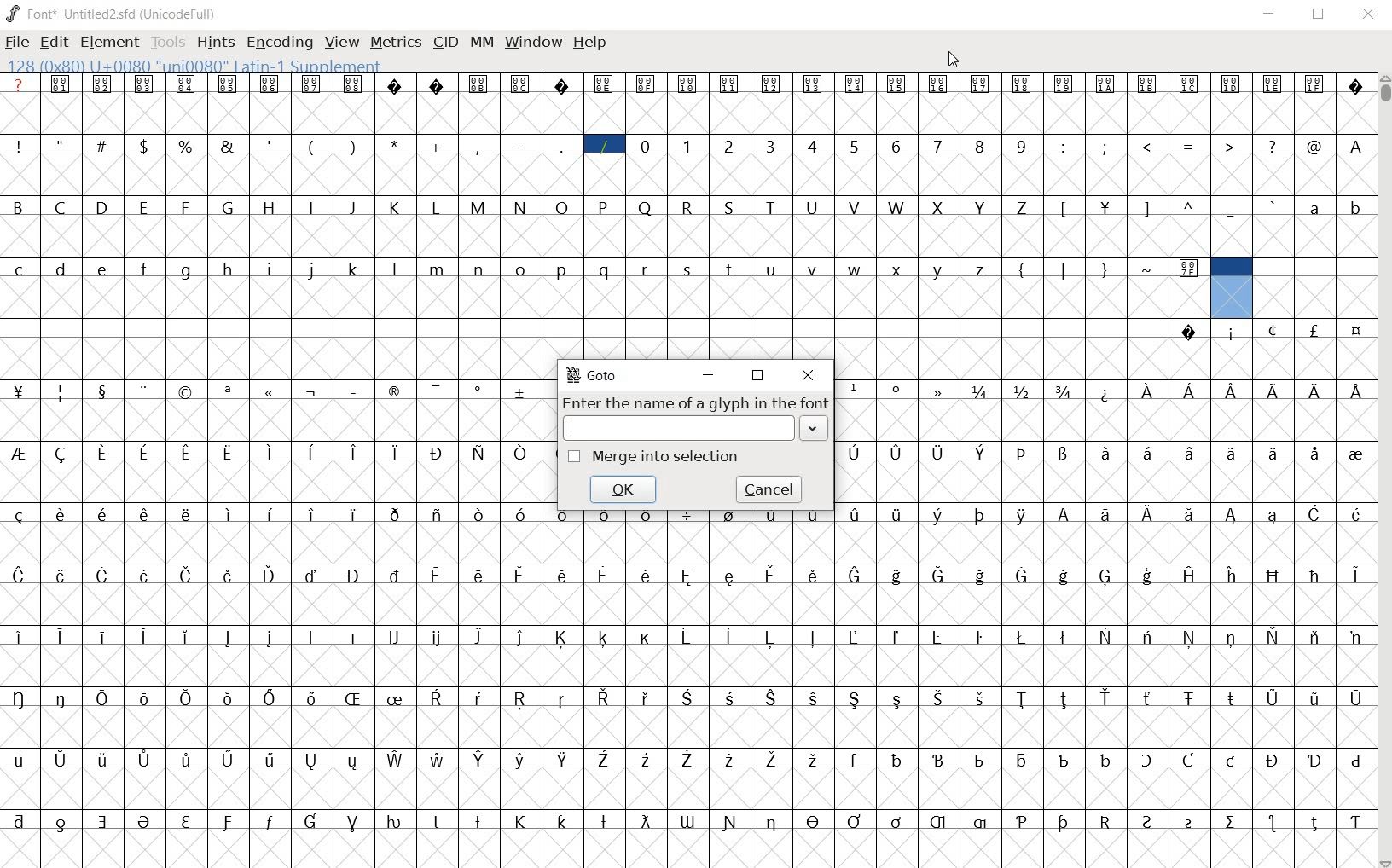 The height and width of the screenshot is (868, 1392). What do you see at coordinates (1232, 85) in the screenshot?
I see `Symbol` at bounding box center [1232, 85].